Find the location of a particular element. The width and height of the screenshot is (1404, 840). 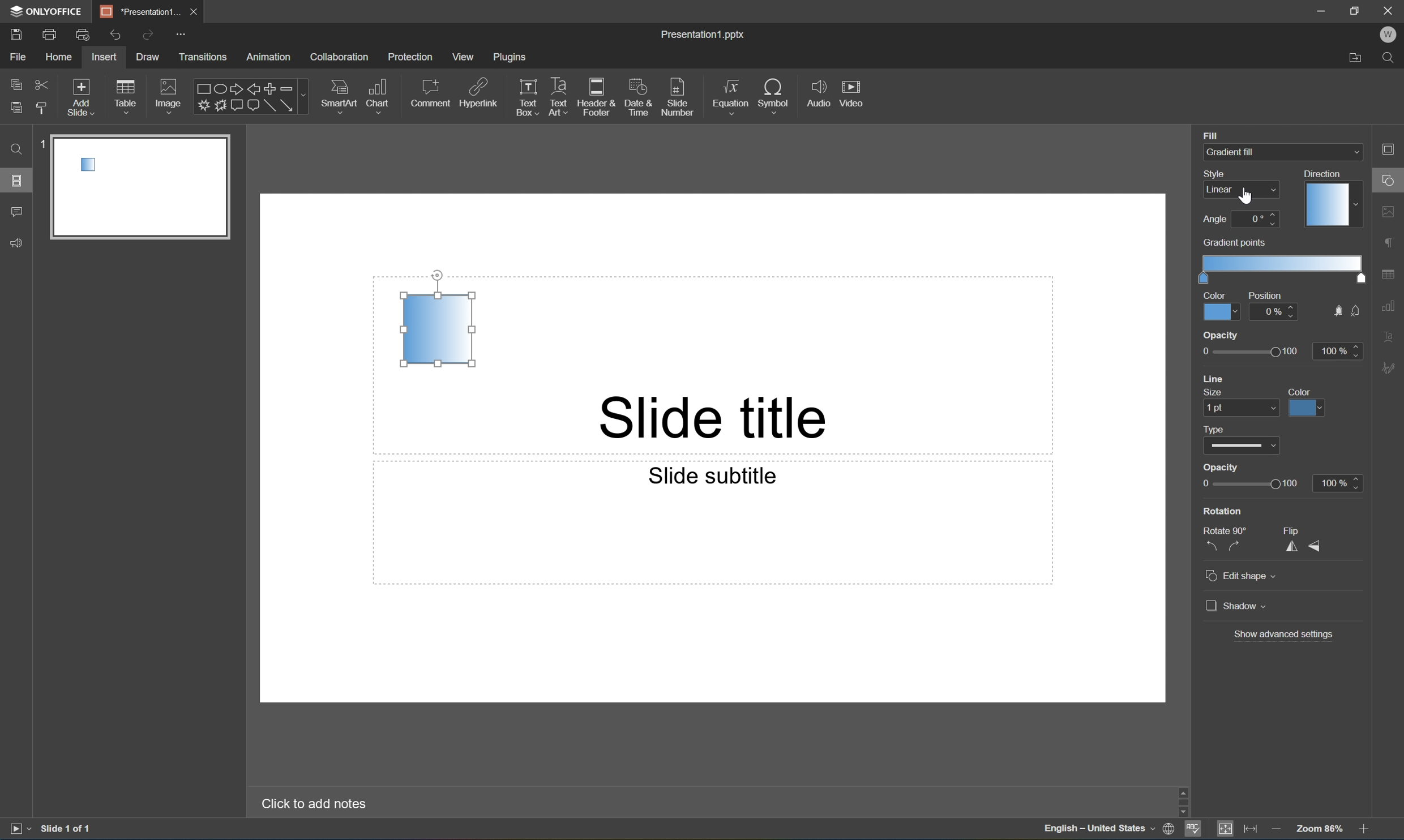

color is located at coordinates (1307, 402).